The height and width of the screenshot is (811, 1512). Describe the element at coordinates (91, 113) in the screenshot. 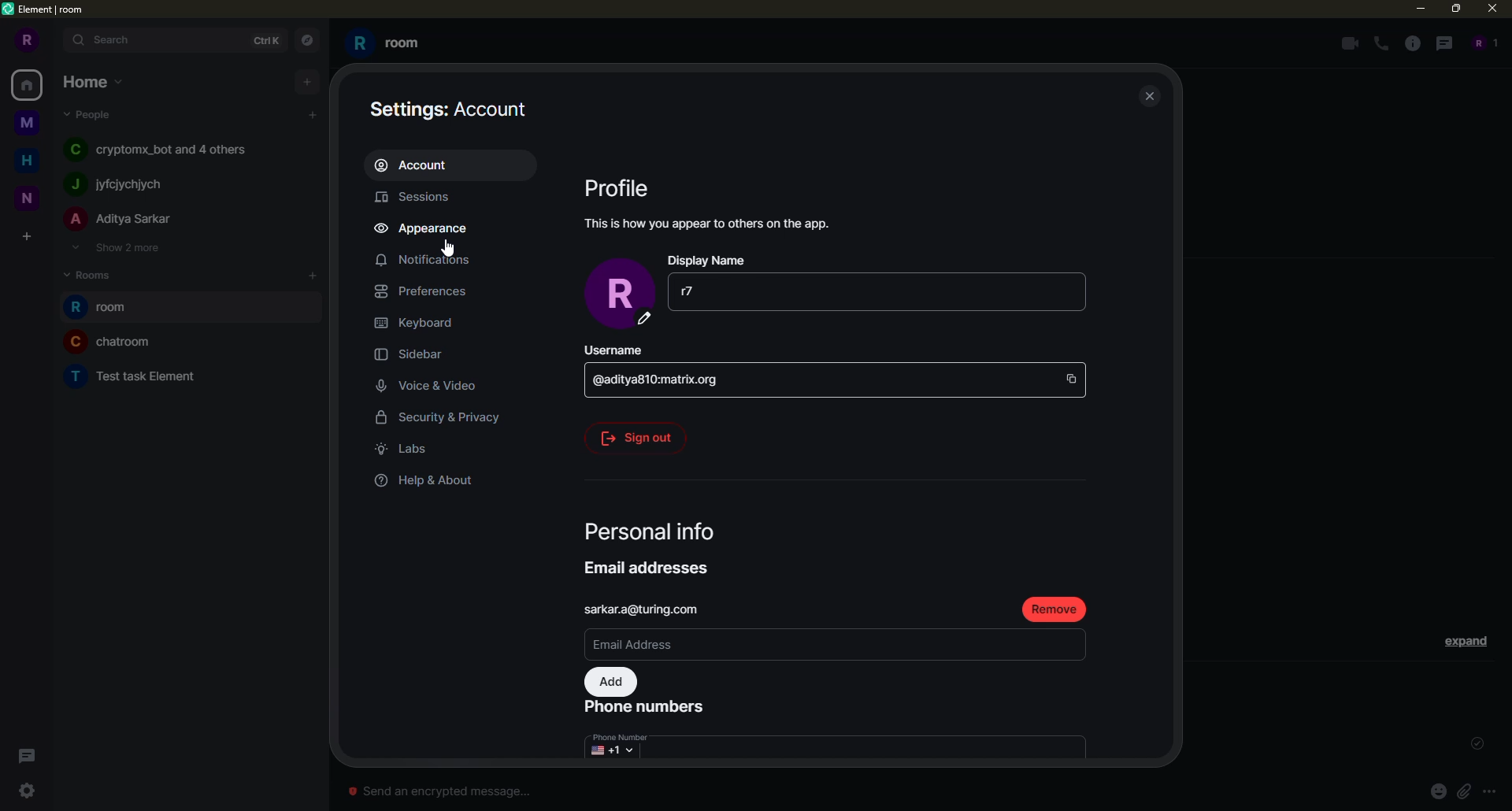

I see `people` at that location.